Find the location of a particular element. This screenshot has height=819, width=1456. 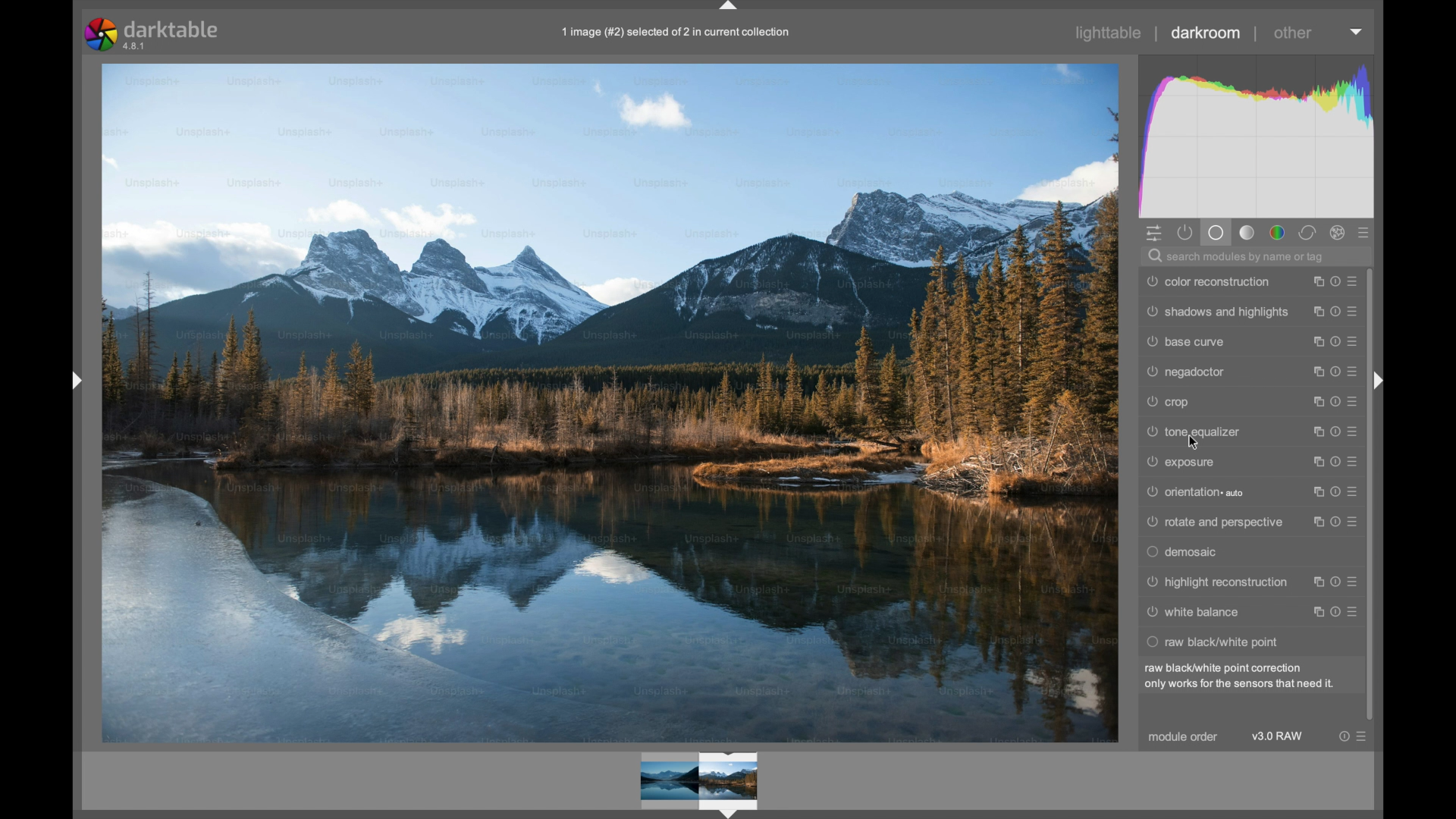

exposure is located at coordinates (1181, 463).